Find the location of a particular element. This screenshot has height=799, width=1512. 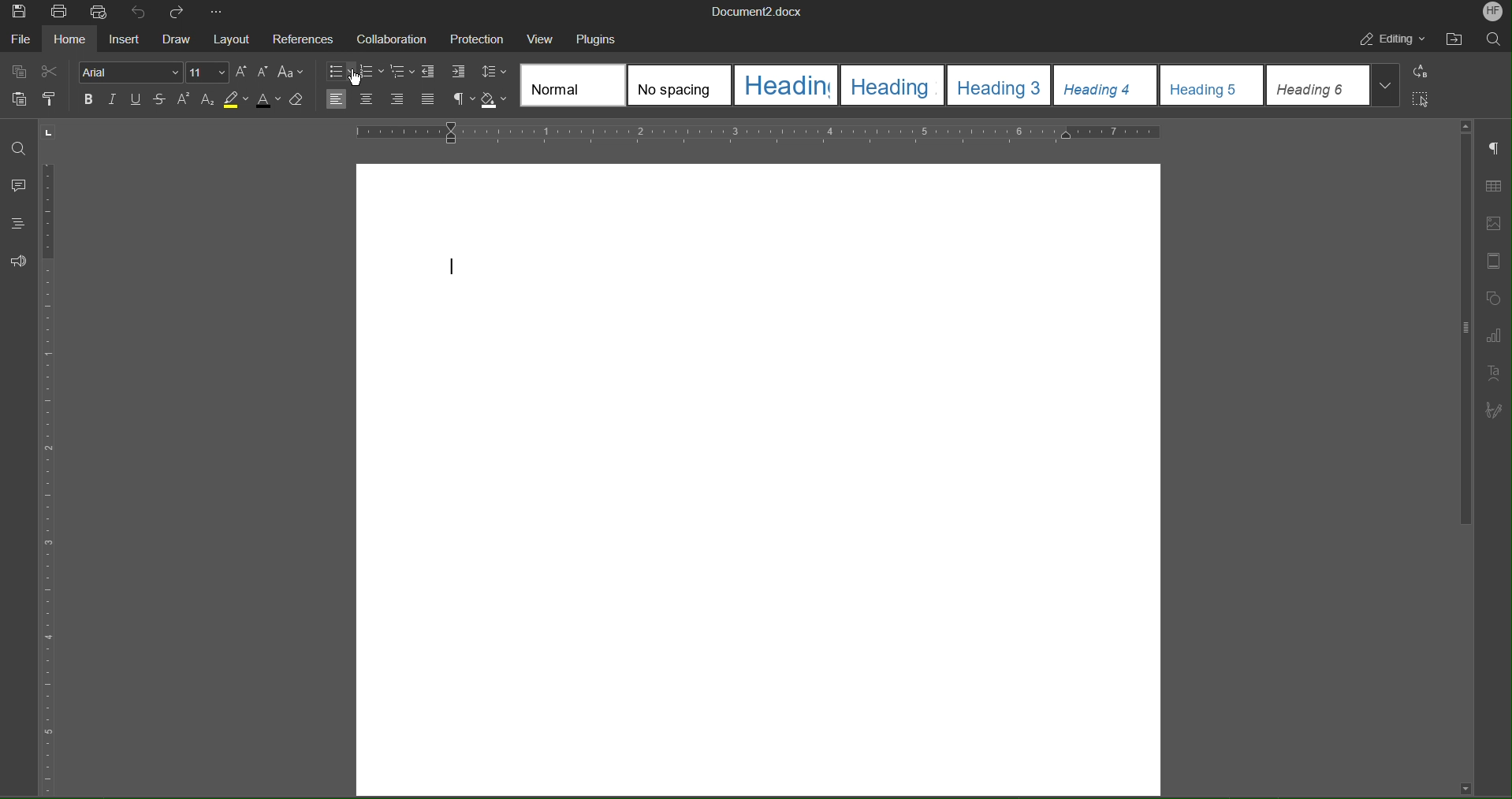

Account is located at coordinates (1494, 12).